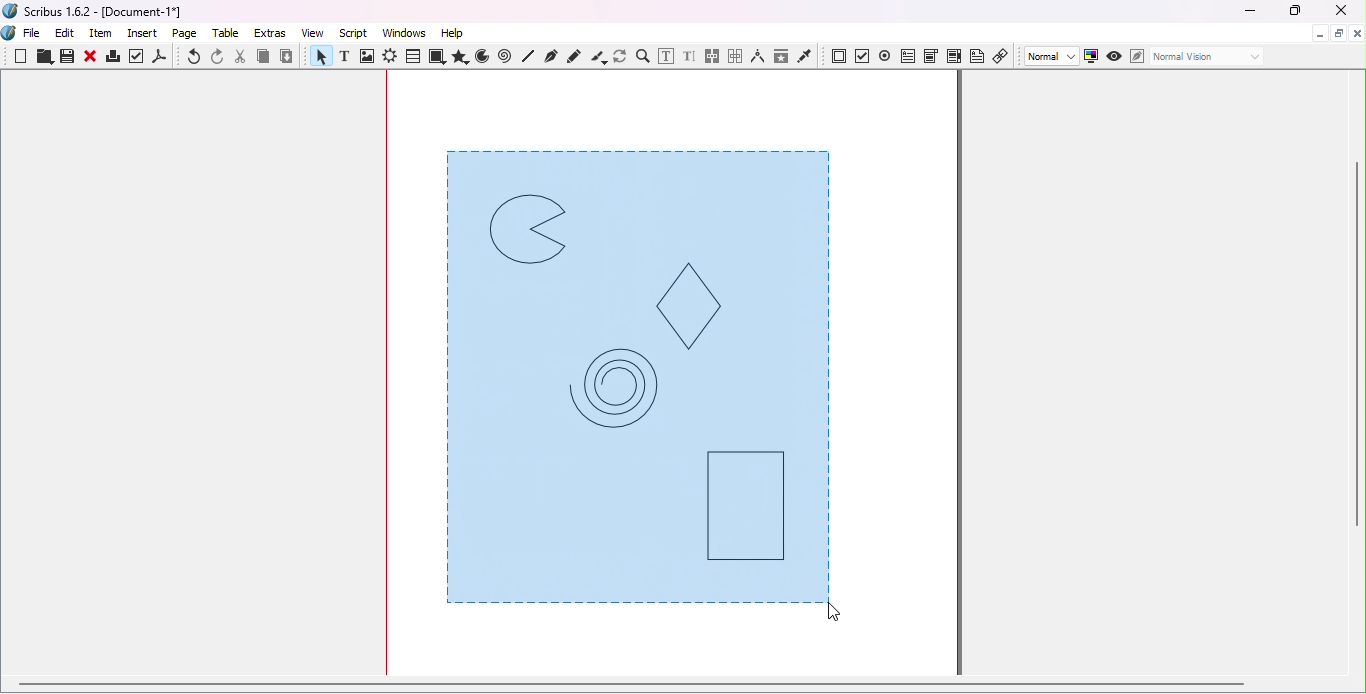 The width and height of the screenshot is (1366, 694). Describe the element at coordinates (273, 33) in the screenshot. I see `Extras` at that location.